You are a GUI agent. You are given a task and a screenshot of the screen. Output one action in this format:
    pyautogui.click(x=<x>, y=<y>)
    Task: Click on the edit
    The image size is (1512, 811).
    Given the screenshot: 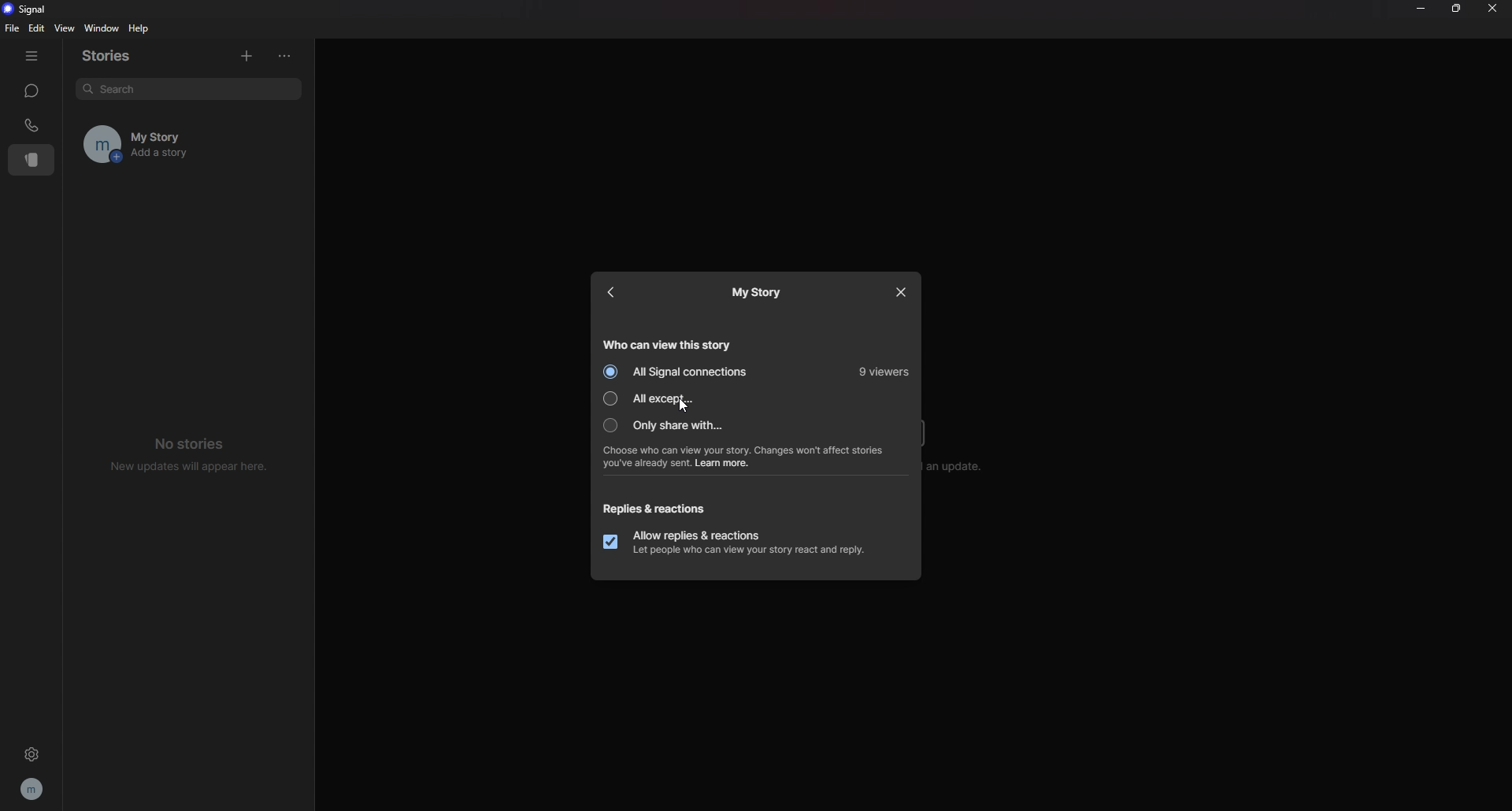 What is the action you would take?
    pyautogui.click(x=36, y=28)
    